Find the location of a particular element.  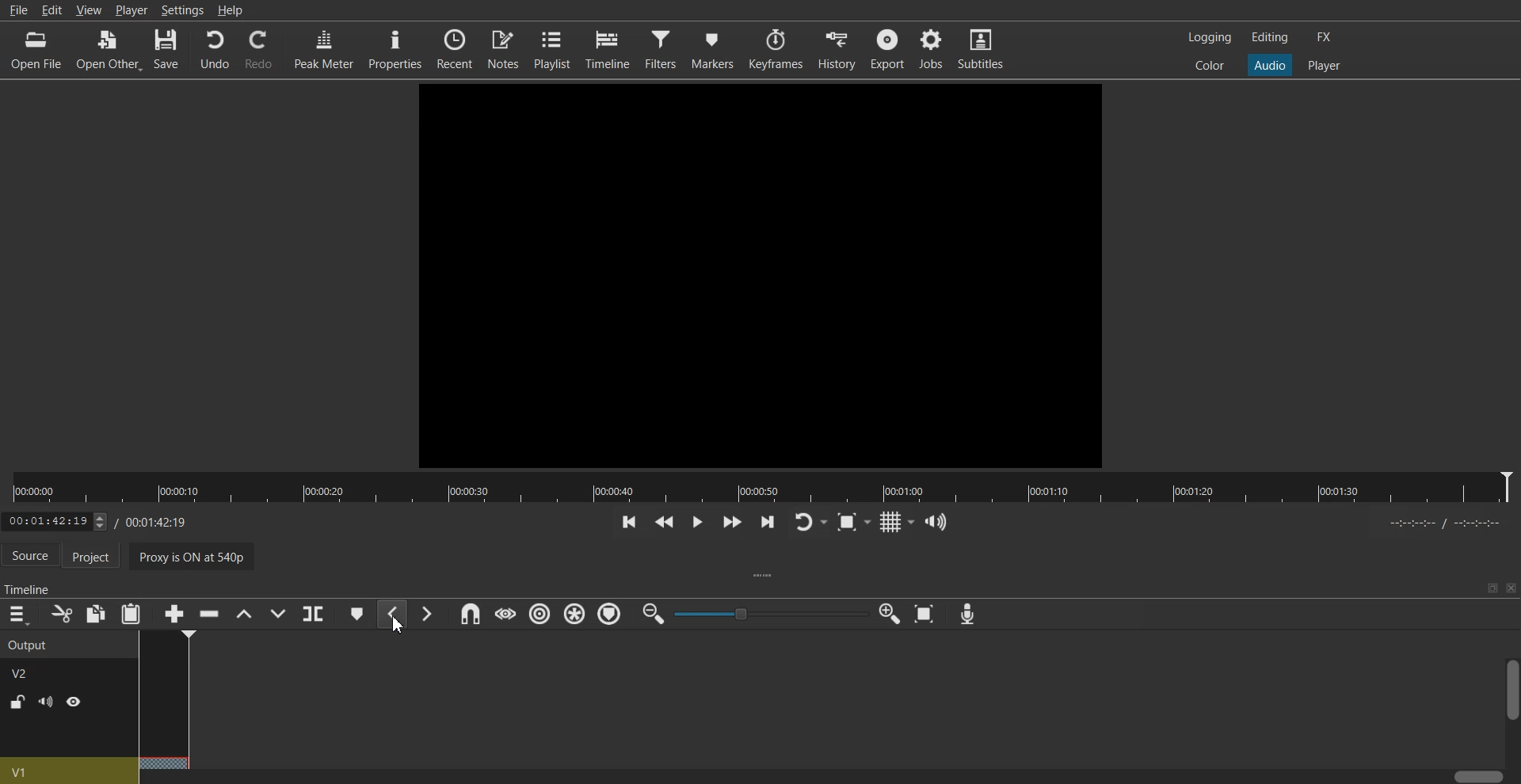

Snap is located at coordinates (467, 614).